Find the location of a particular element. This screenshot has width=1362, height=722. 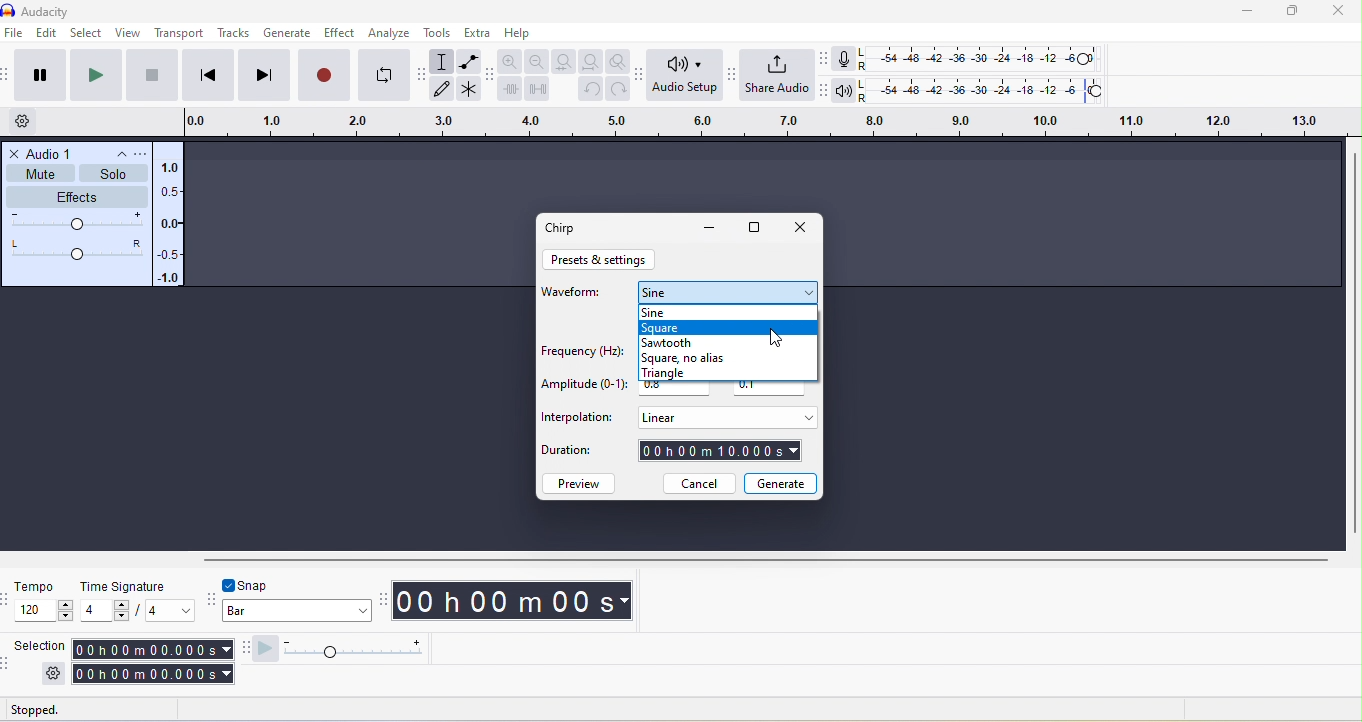

zoom toggle is located at coordinates (620, 62).